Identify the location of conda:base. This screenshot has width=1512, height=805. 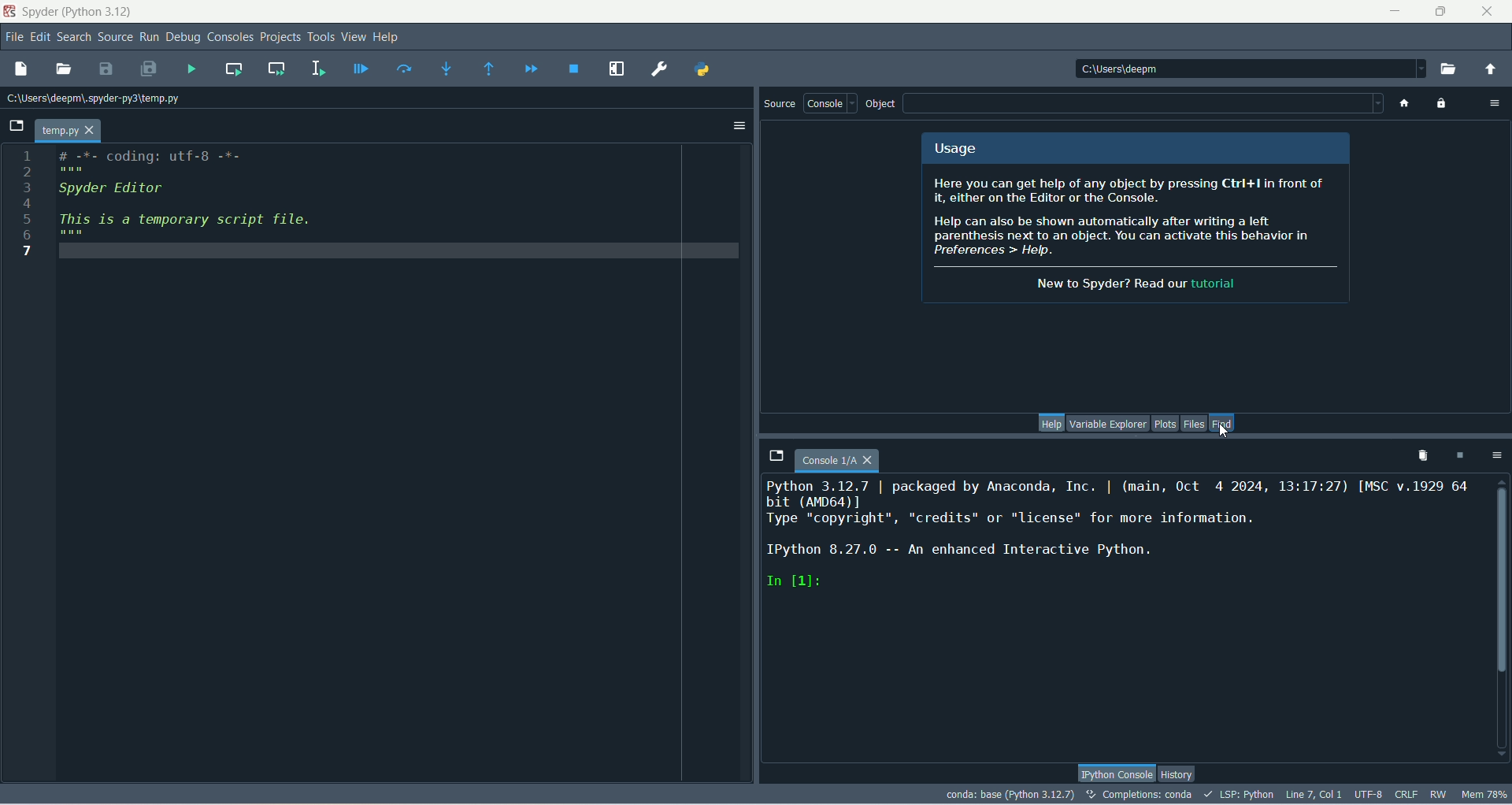
(1010, 793).